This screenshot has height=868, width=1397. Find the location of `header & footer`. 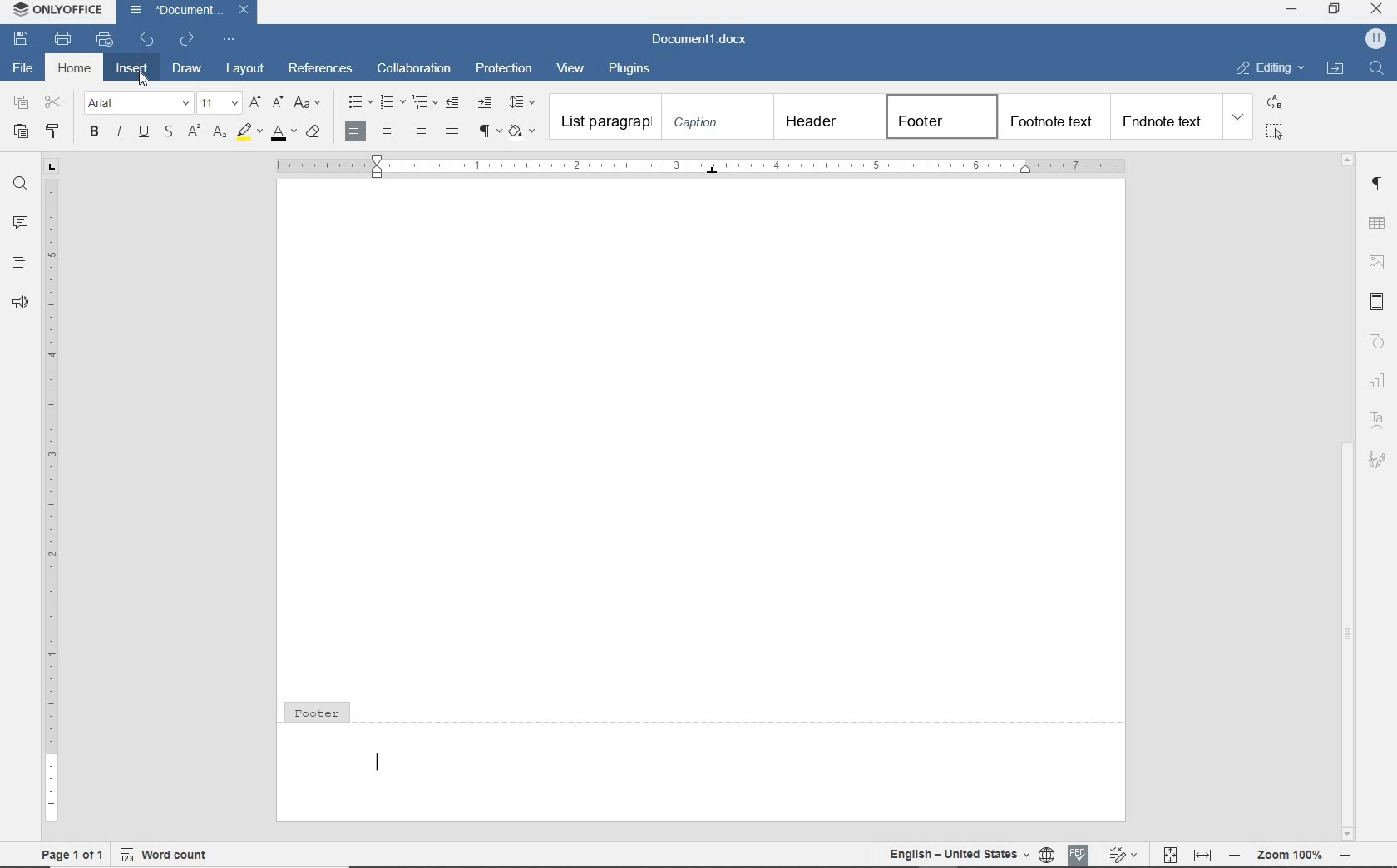

header & footer is located at coordinates (1377, 302).